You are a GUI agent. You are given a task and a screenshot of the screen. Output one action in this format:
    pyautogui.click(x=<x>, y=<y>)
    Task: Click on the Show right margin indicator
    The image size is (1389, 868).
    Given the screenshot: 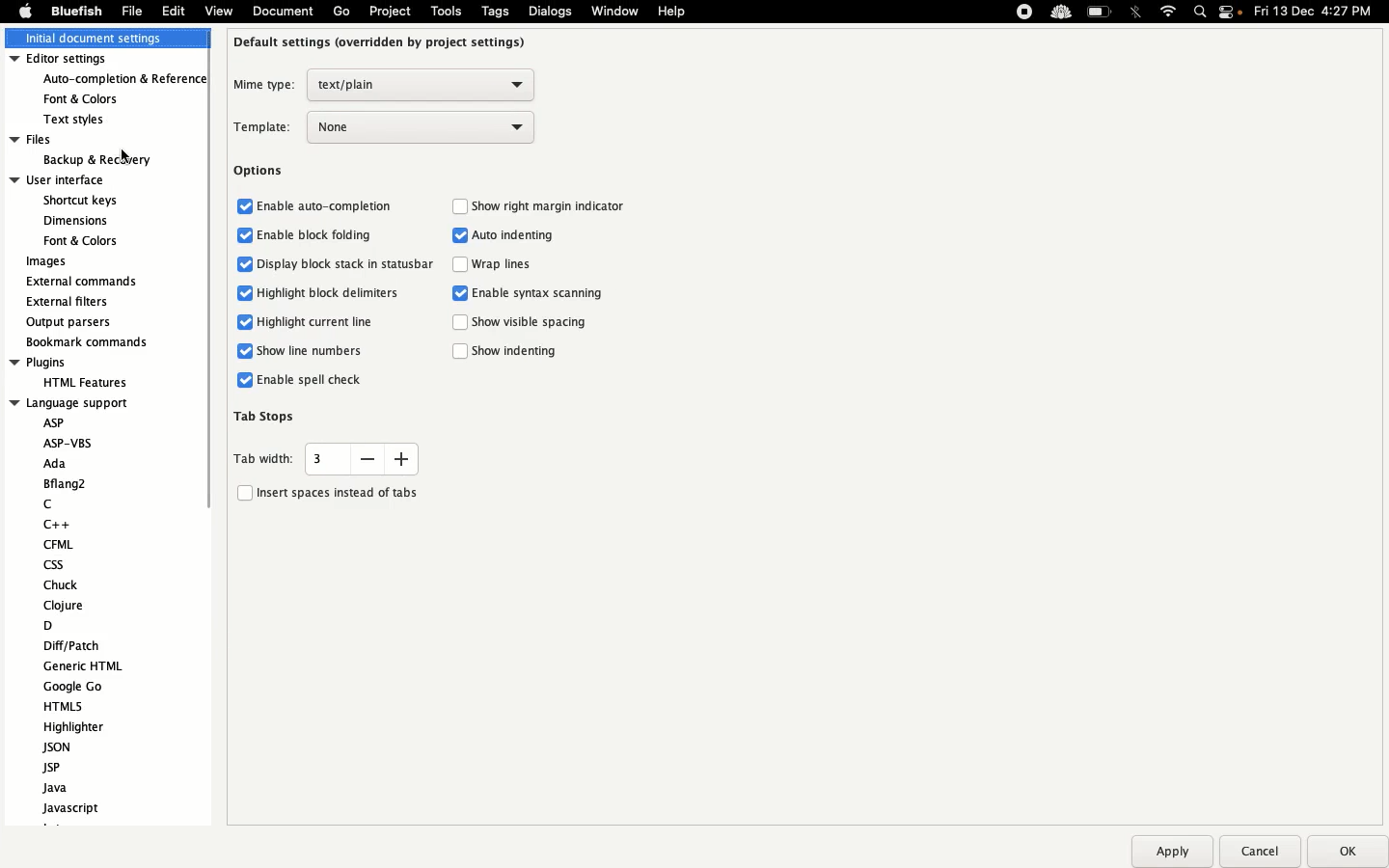 What is the action you would take?
    pyautogui.click(x=543, y=204)
    